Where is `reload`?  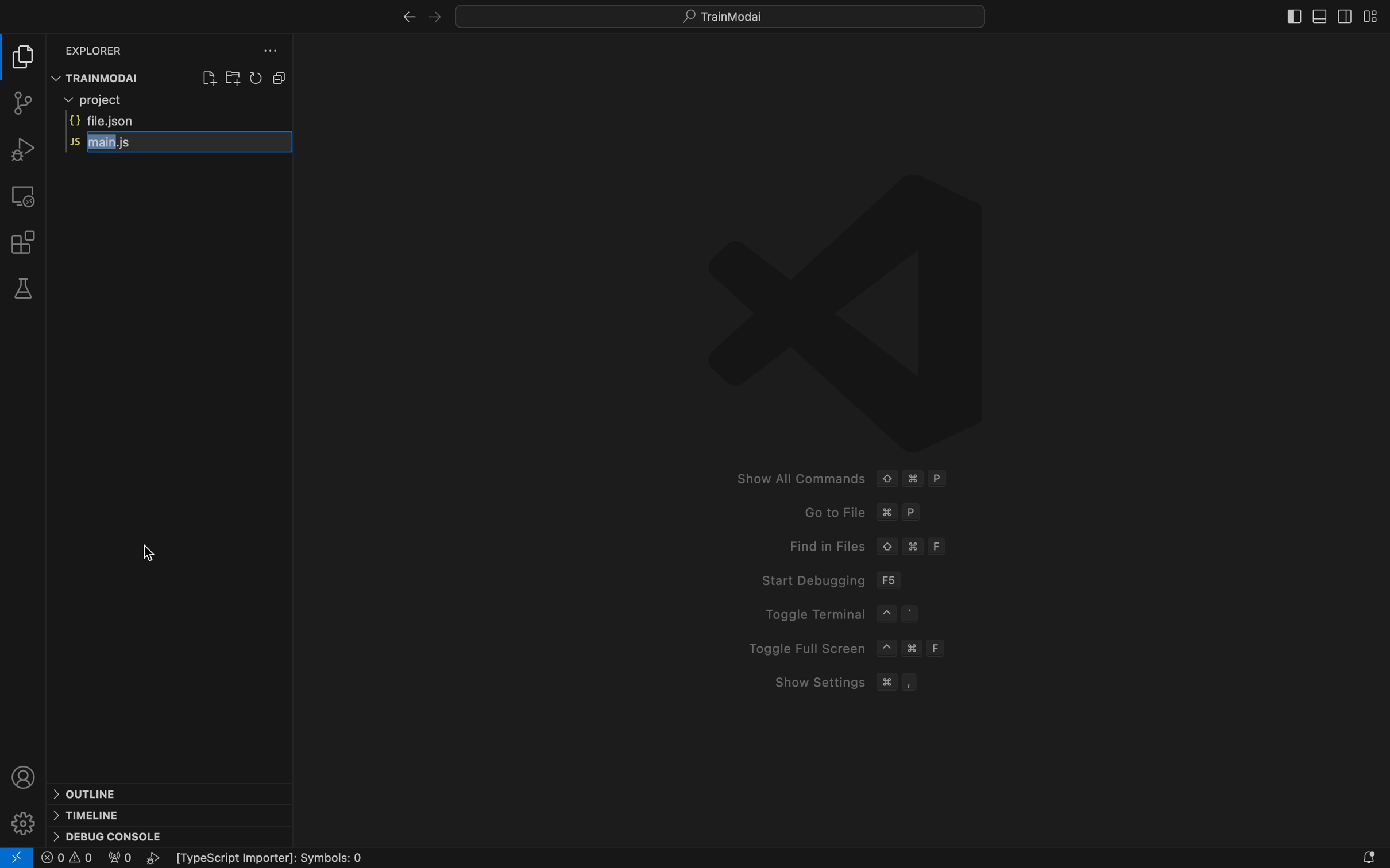
reload is located at coordinates (257, 77).